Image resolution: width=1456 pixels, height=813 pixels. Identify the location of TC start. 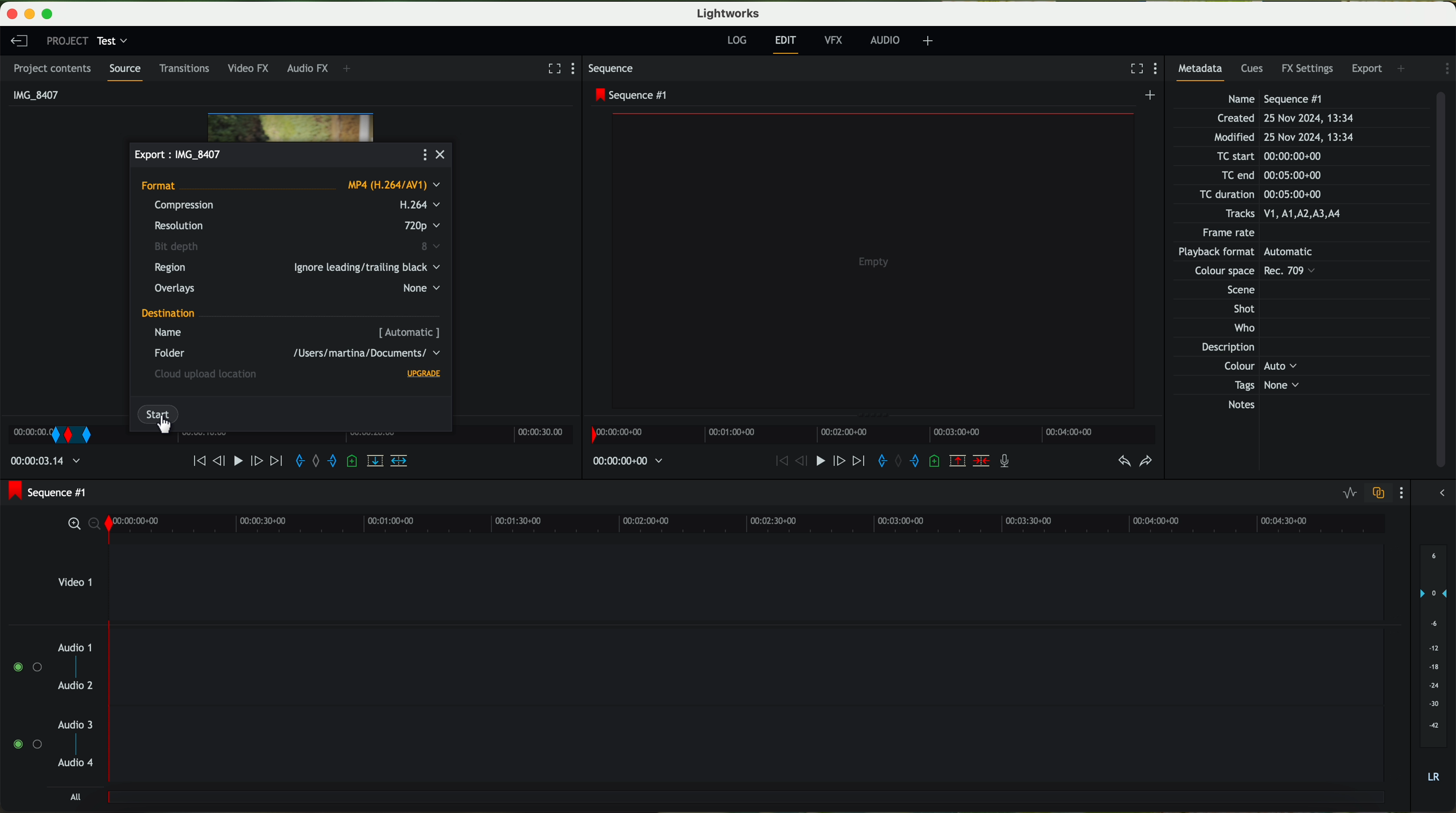
(1267, 157).